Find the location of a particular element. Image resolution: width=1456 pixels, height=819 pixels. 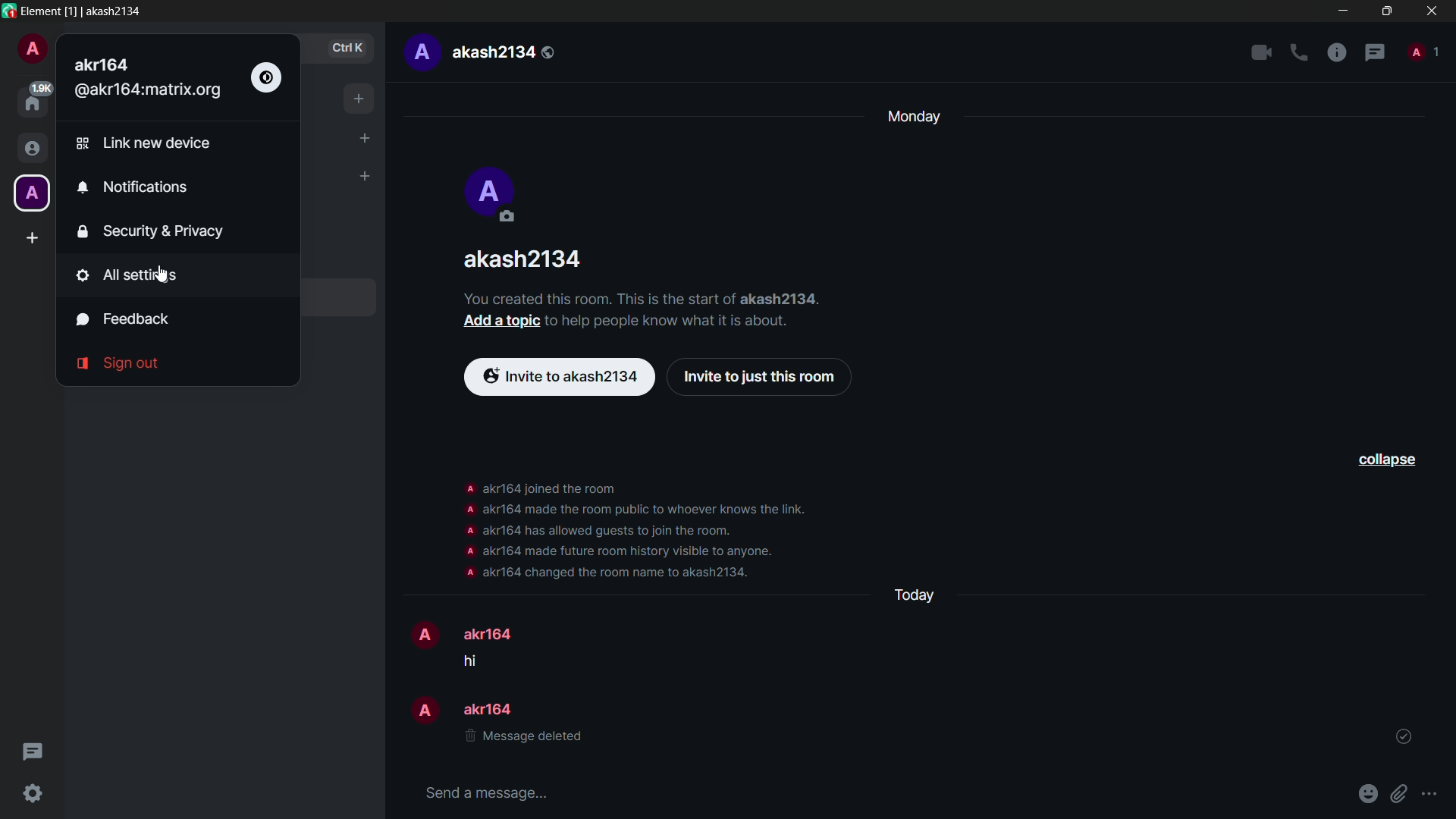

message deleted is located at coordinates (524, 739).